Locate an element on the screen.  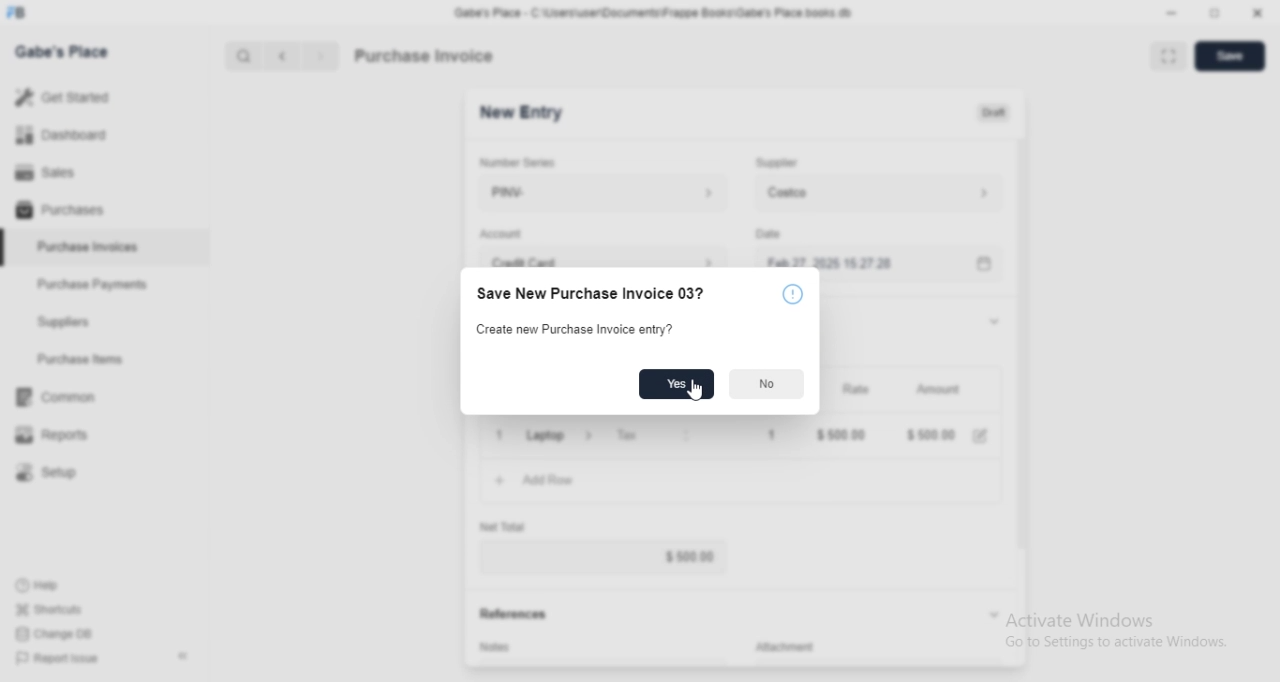
References is located at coordinates (513, 614).